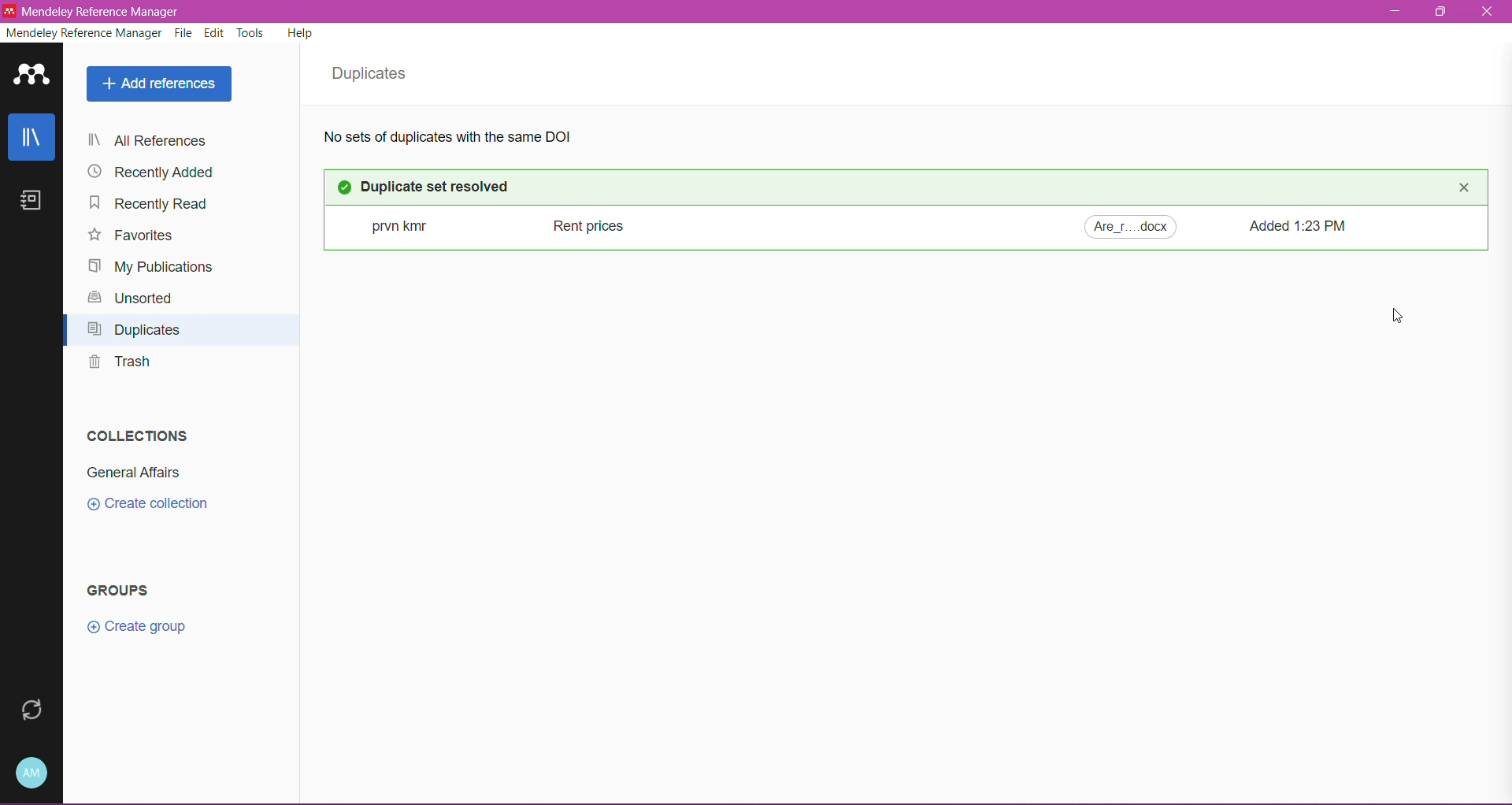 The height and width of the screenshot is (805, 1512). I want to click on Collections, so click(134, 433).